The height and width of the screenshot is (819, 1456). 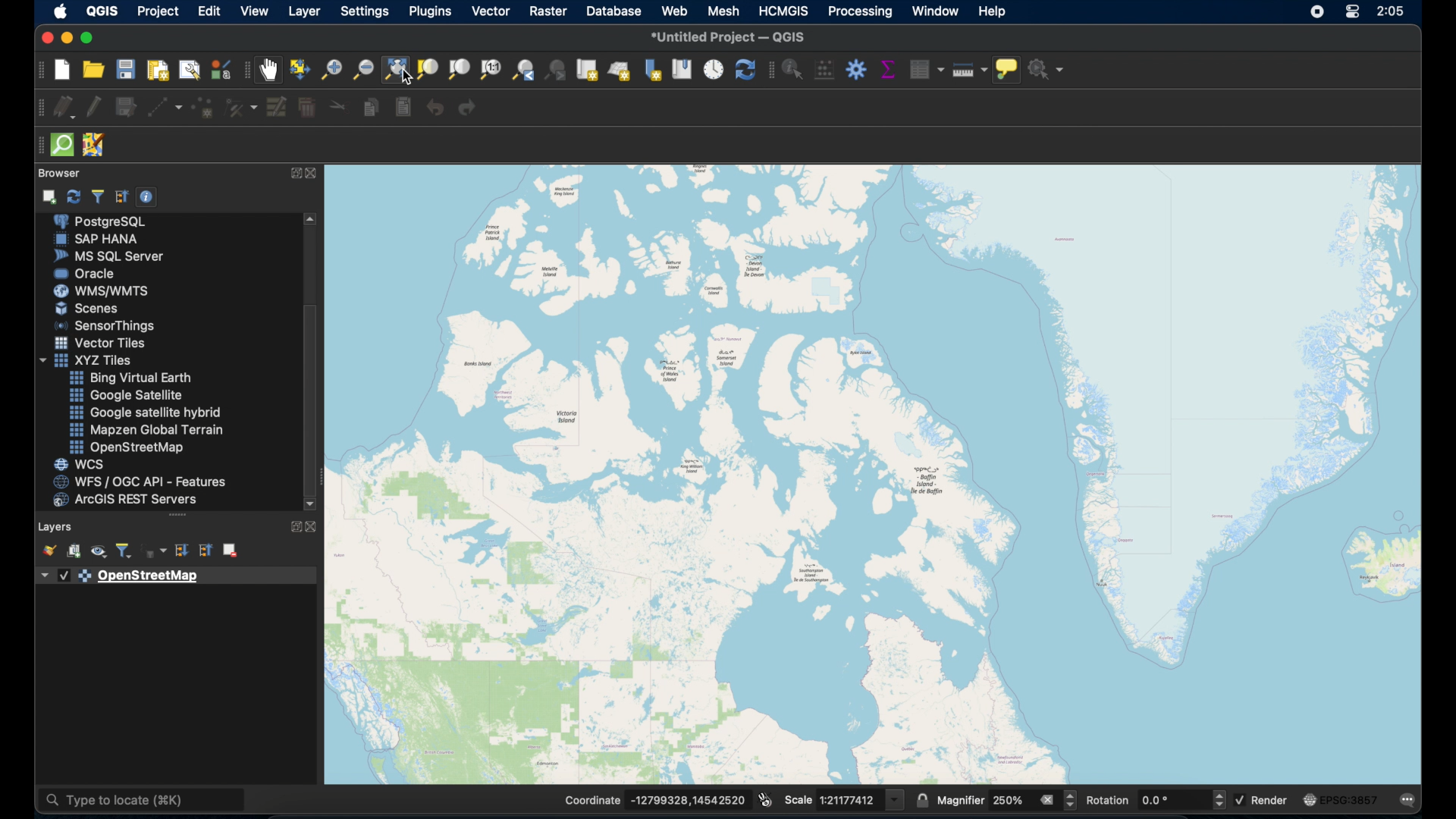 What do you see at coordinates (970, 71) in the screenshot?
I see `measure line` at bounding box center [970, 71].